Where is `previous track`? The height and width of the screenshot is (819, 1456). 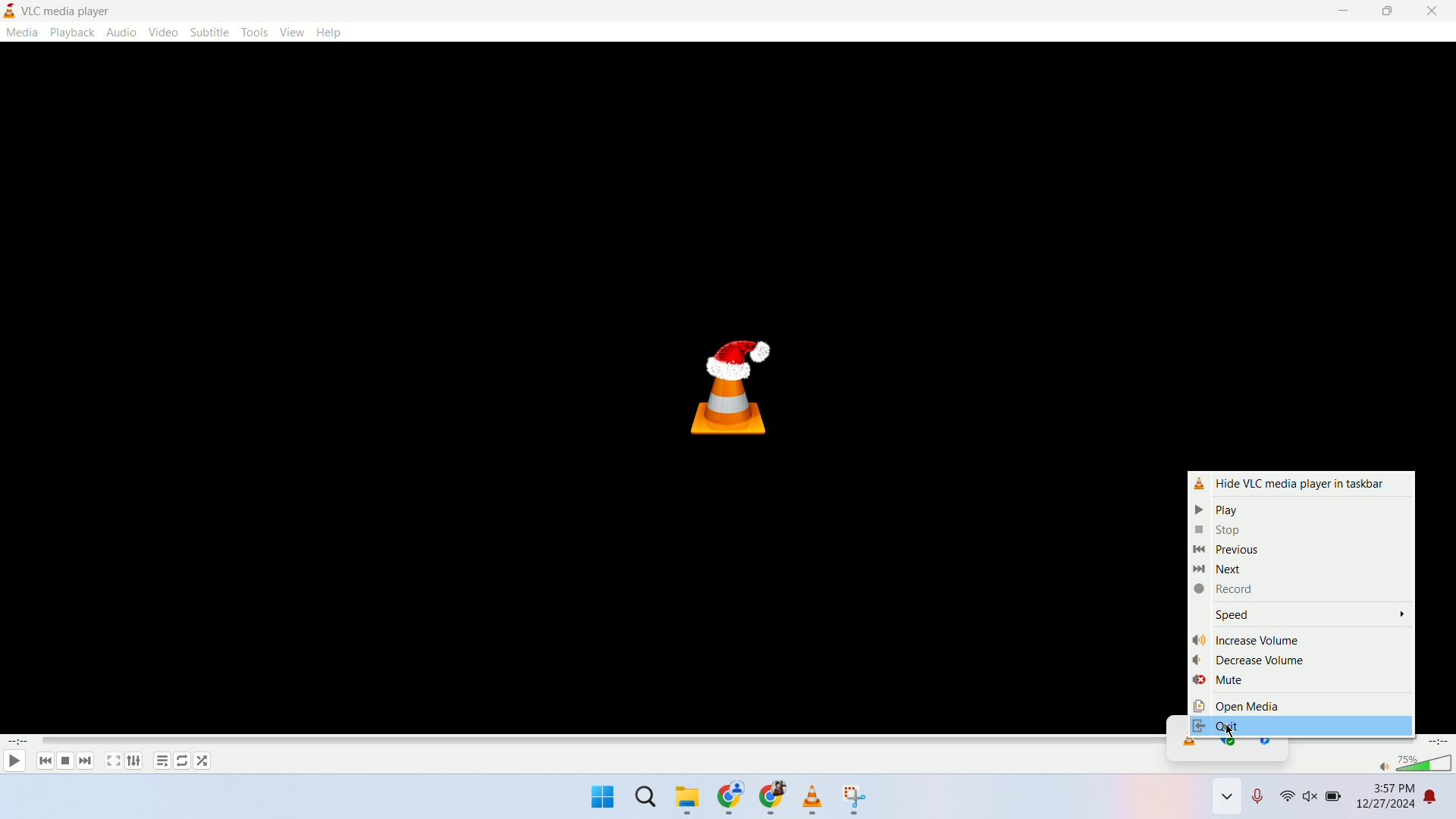
previous track is located at coordinates (41, 761).